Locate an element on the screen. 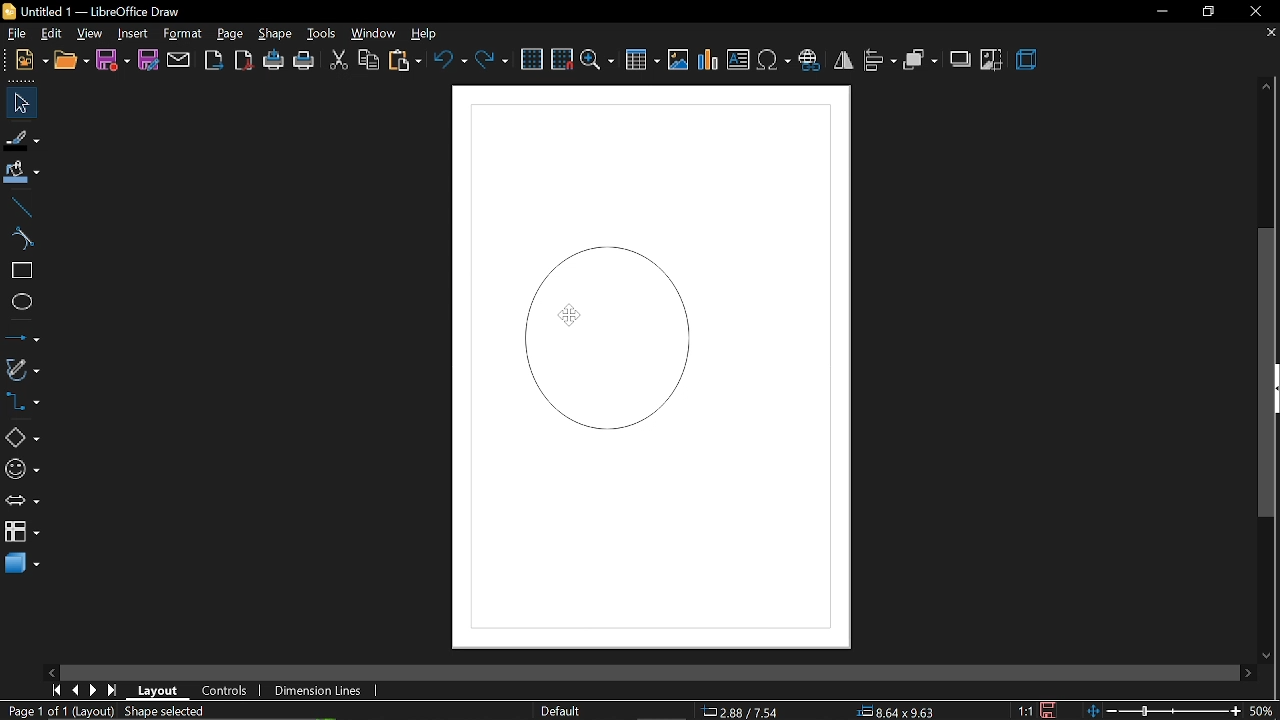 The height and width of the screenshot is (720, 1280). zoom is located at coordinates (598, 60).